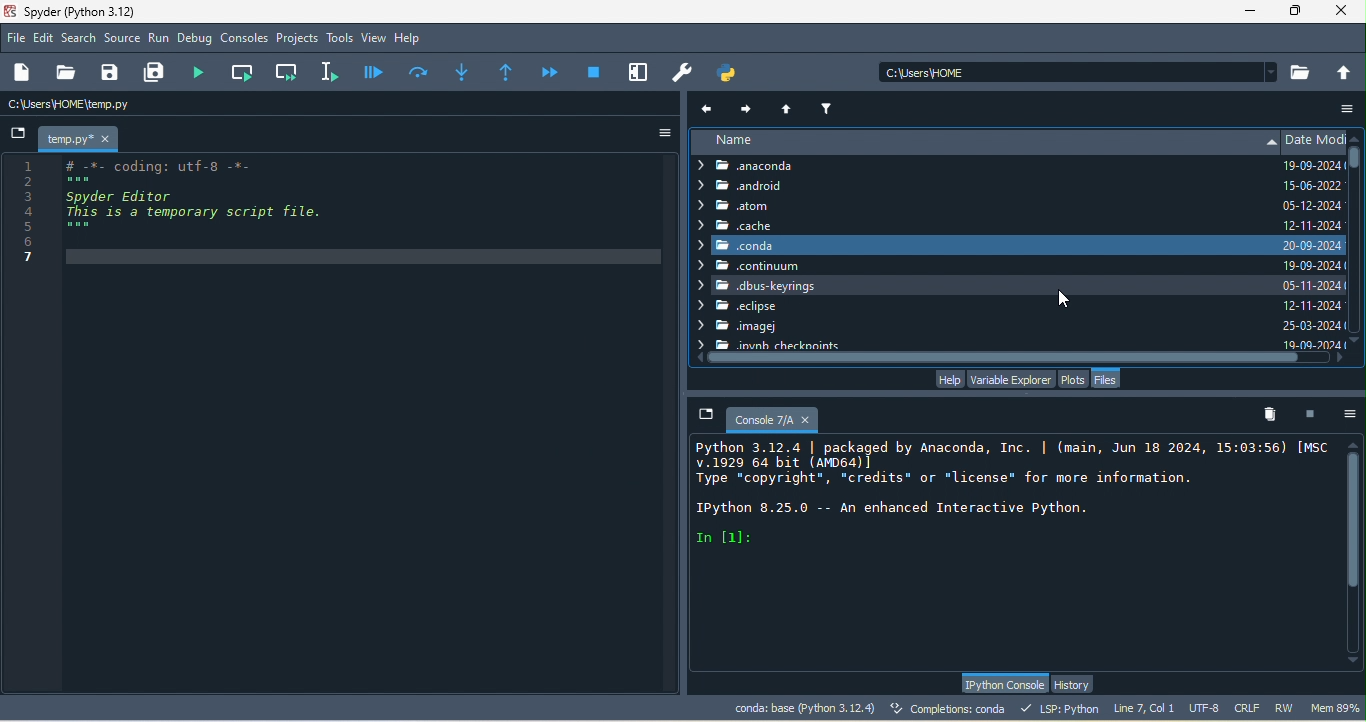  I want to click on c\users\home, so click(126, 105).